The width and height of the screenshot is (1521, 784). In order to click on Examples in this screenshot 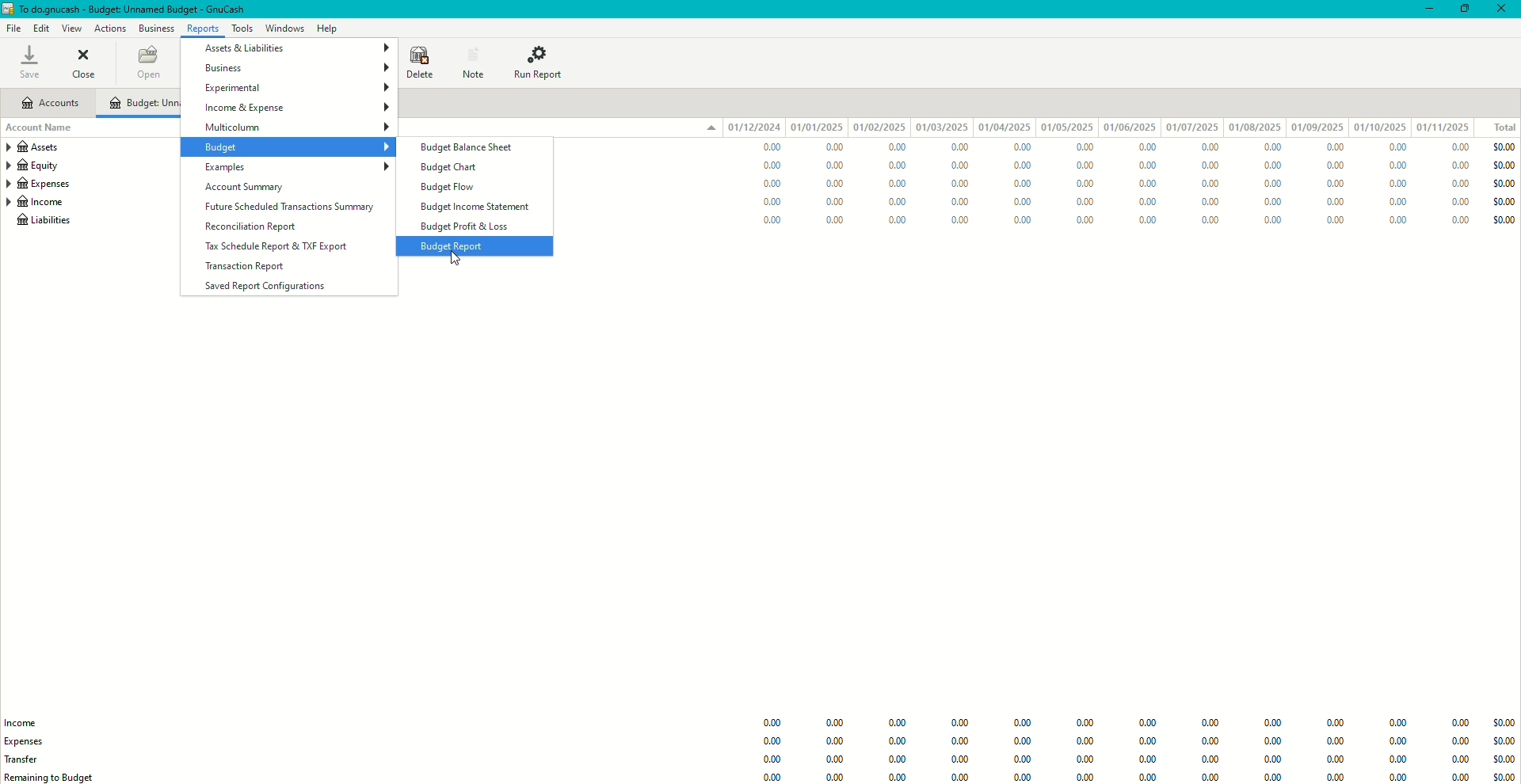, I will do `click(295, 167)`.